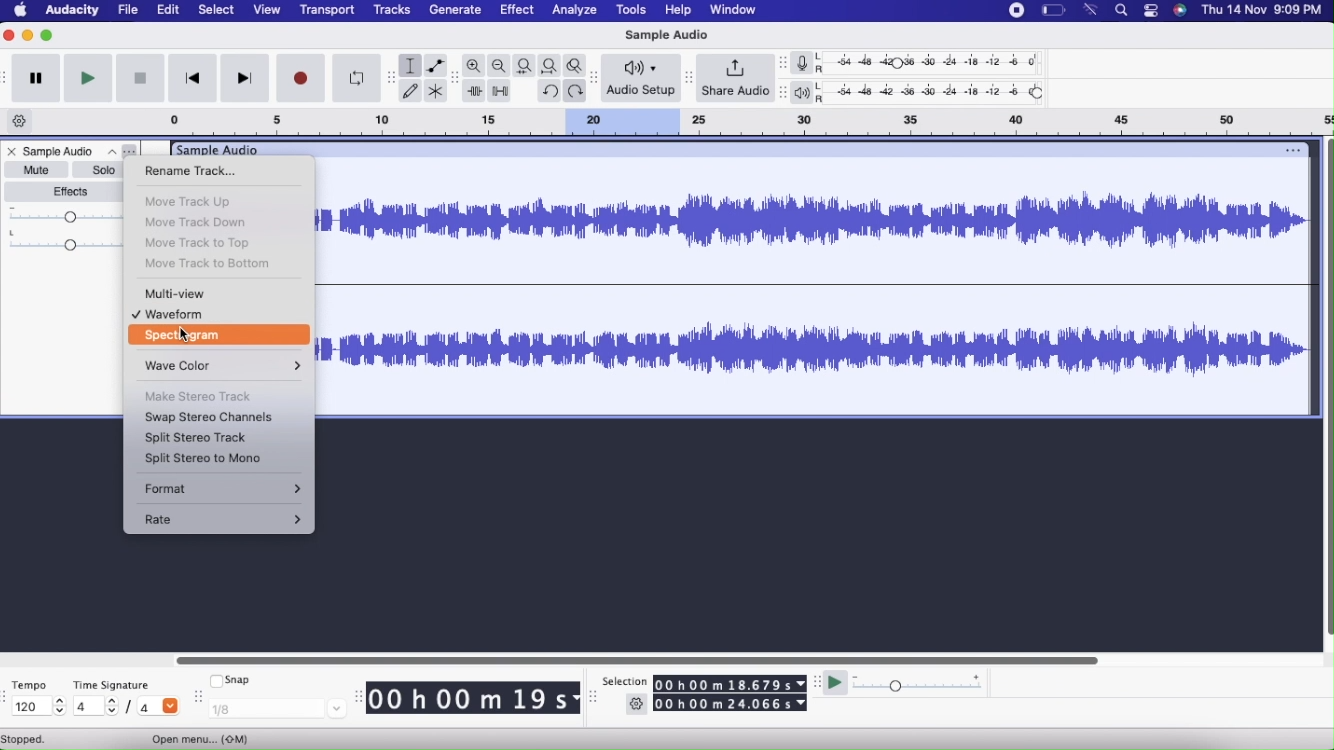 This screenshot has height=750, width=1334. I want to click on vertical scrollbar, so click(1326, 389).